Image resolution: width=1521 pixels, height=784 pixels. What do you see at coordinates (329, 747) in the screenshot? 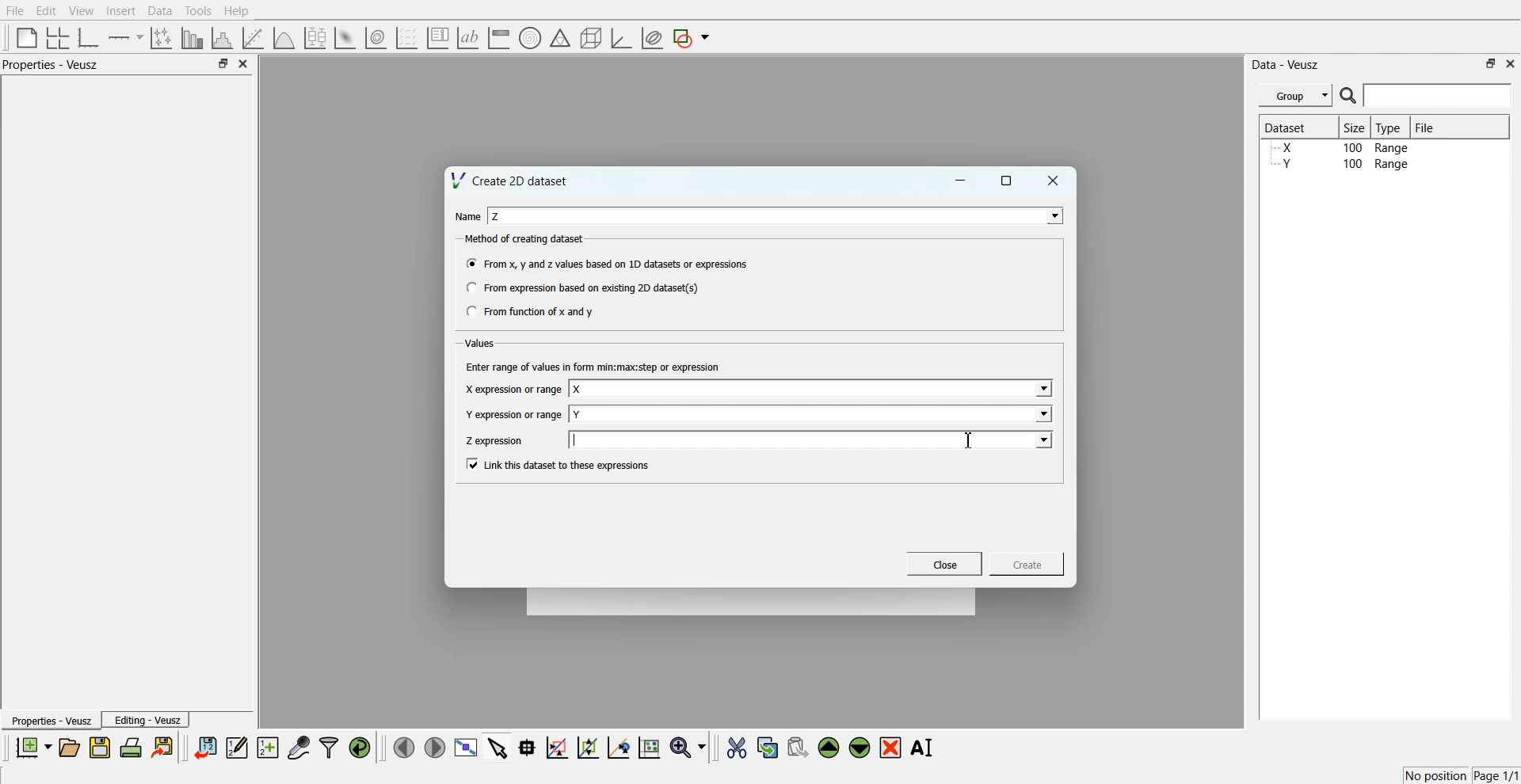
I see `Filter dataset` at bounding box center [329, 747].